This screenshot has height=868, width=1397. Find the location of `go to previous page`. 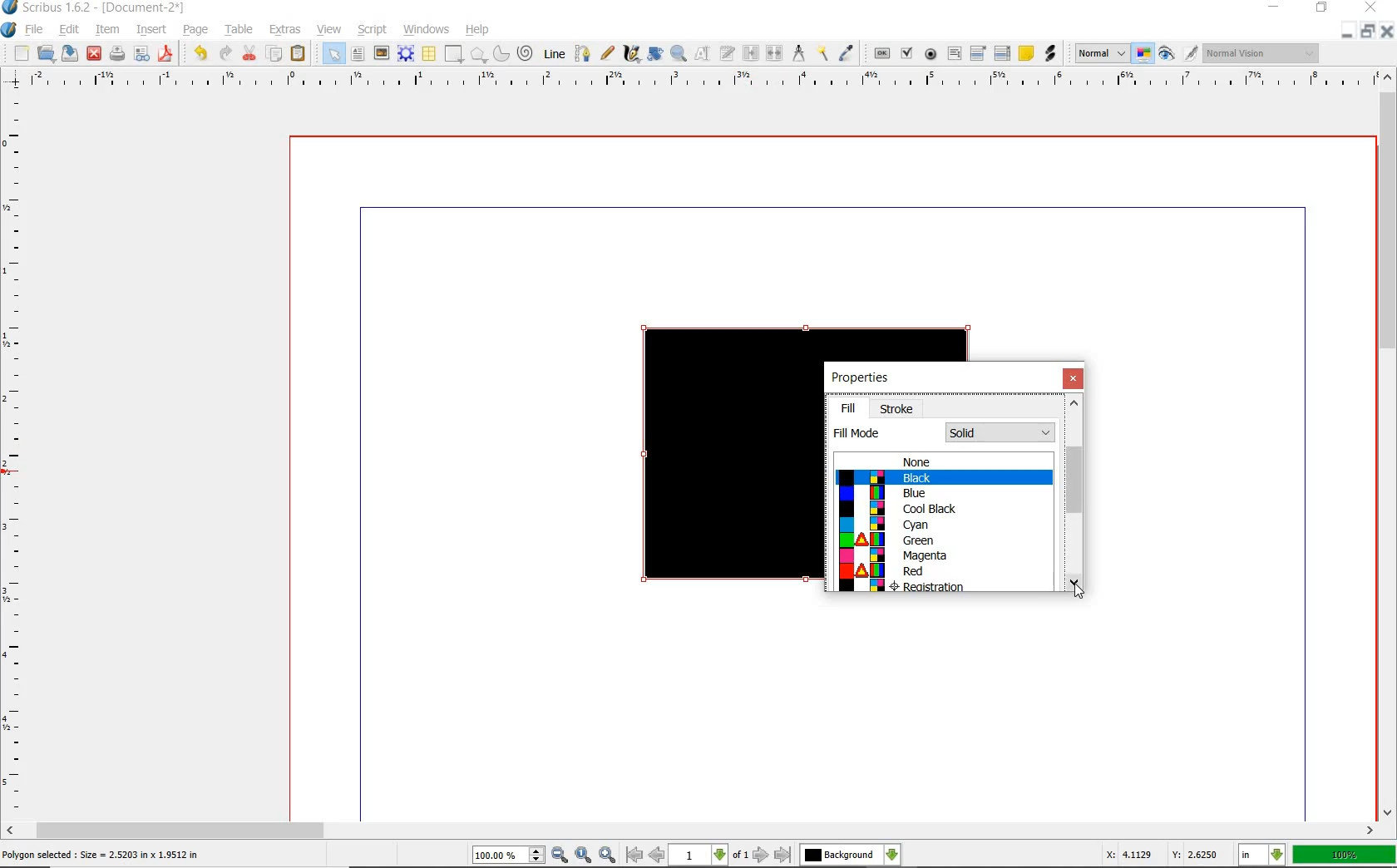

go to previous page is located at coordinates (657, 856).